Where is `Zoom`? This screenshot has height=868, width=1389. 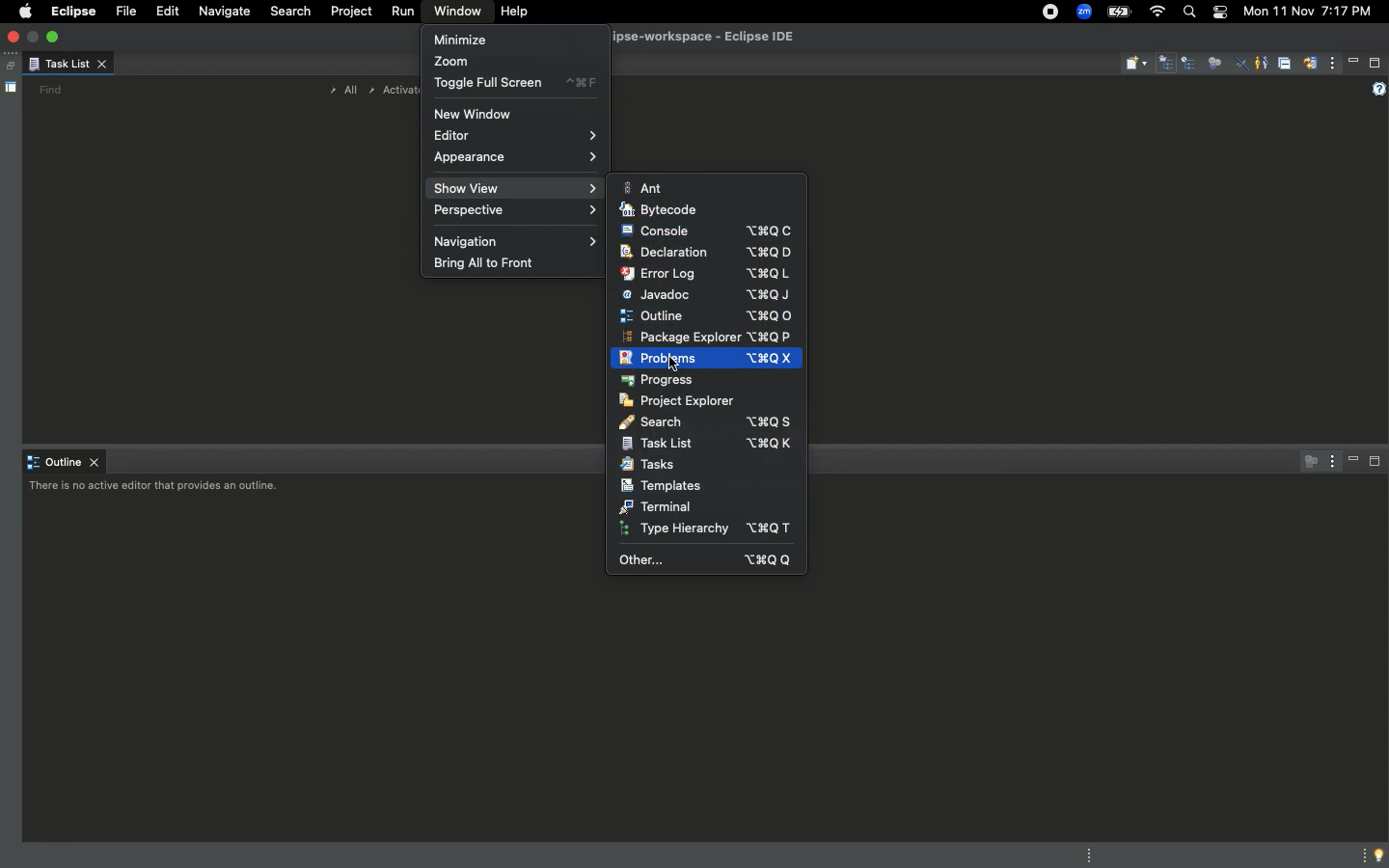
Zoom is located at coordinates (1084, 12).